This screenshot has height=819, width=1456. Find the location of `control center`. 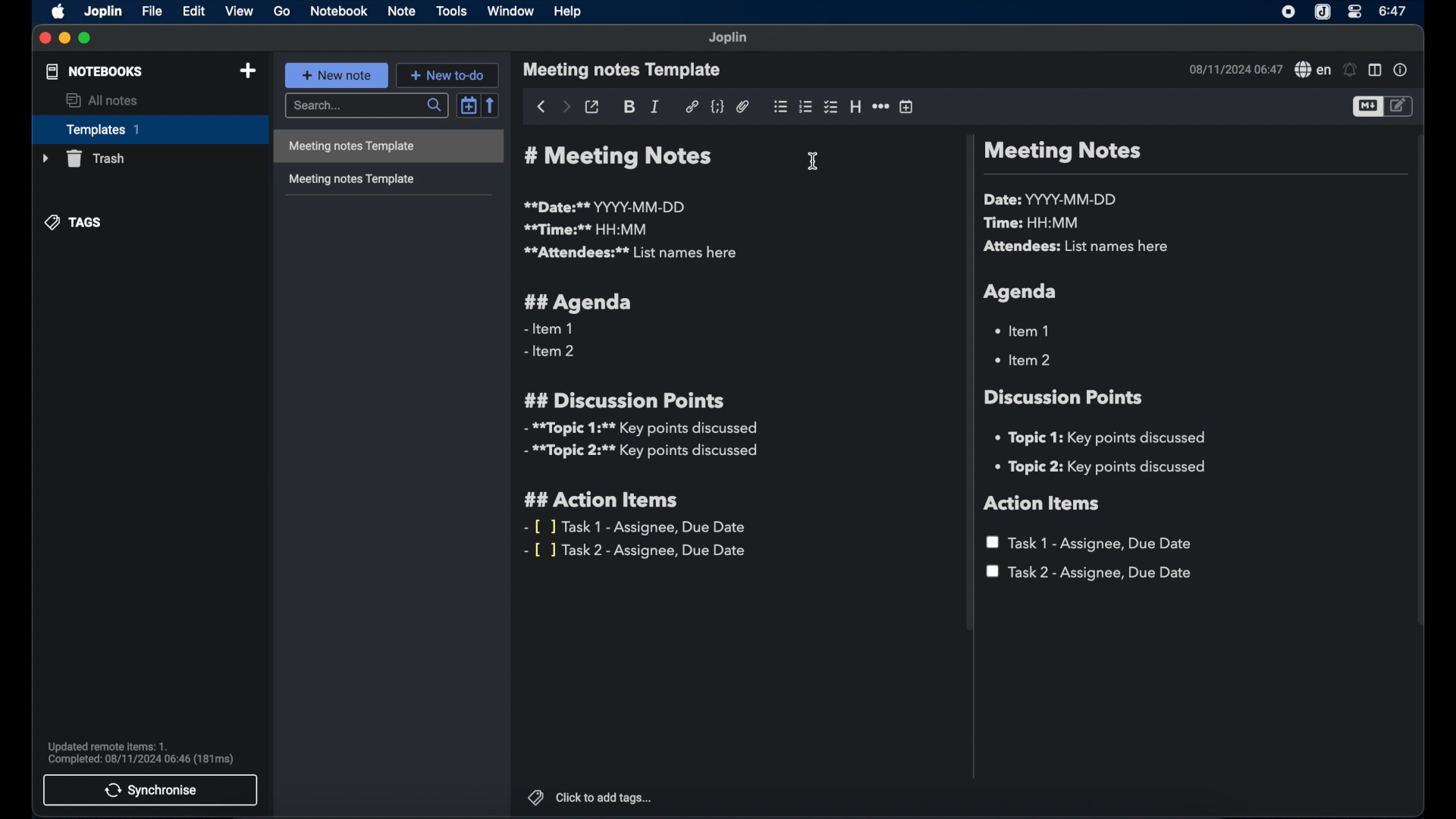

control center is located at coordinates (1355, 13).